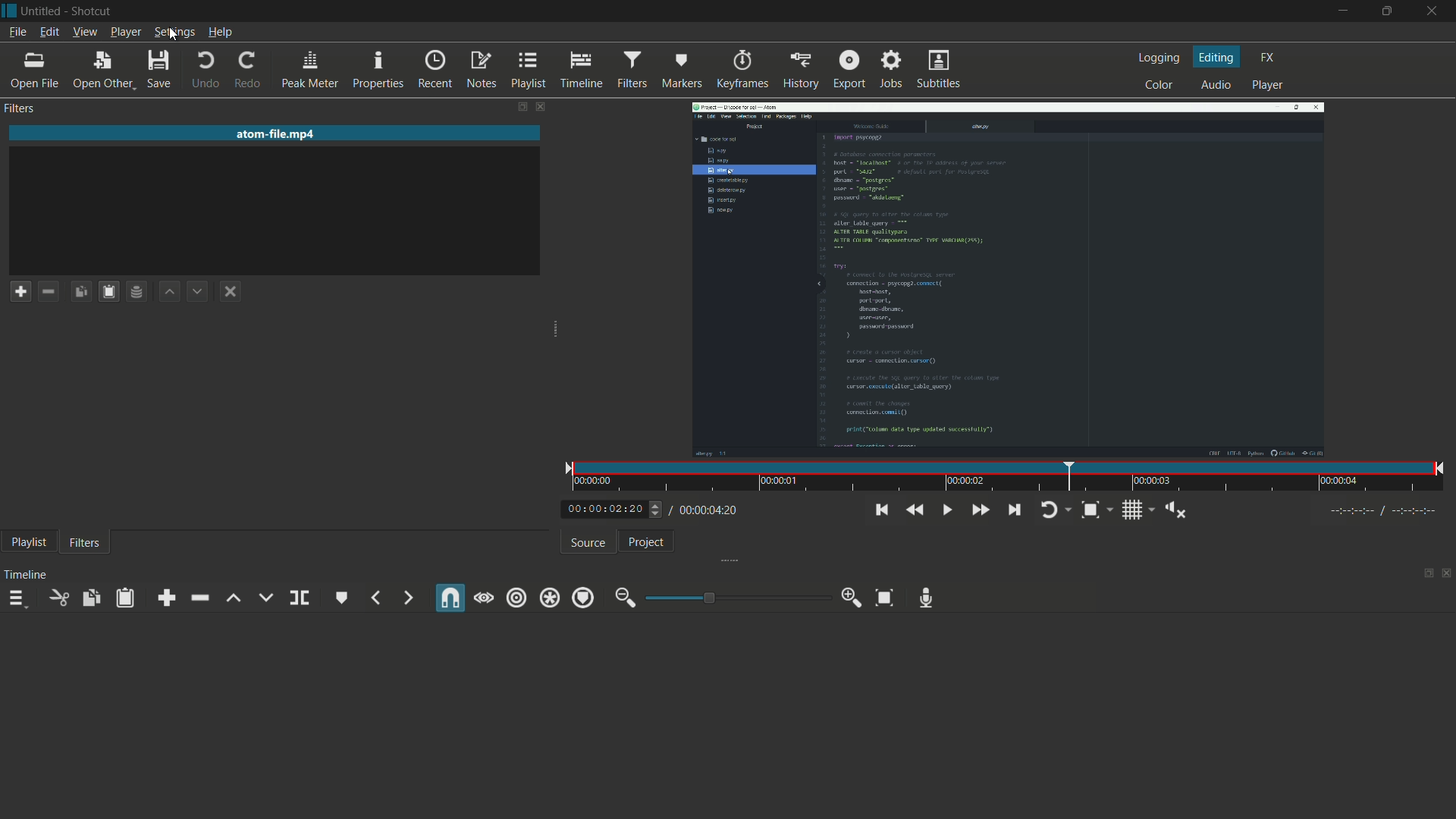 This screenshot has width=1456, height=819. What do you see at coordinates (49, 33) in the screenshot?
I see `edit menu` at bounding box center [49, 33].